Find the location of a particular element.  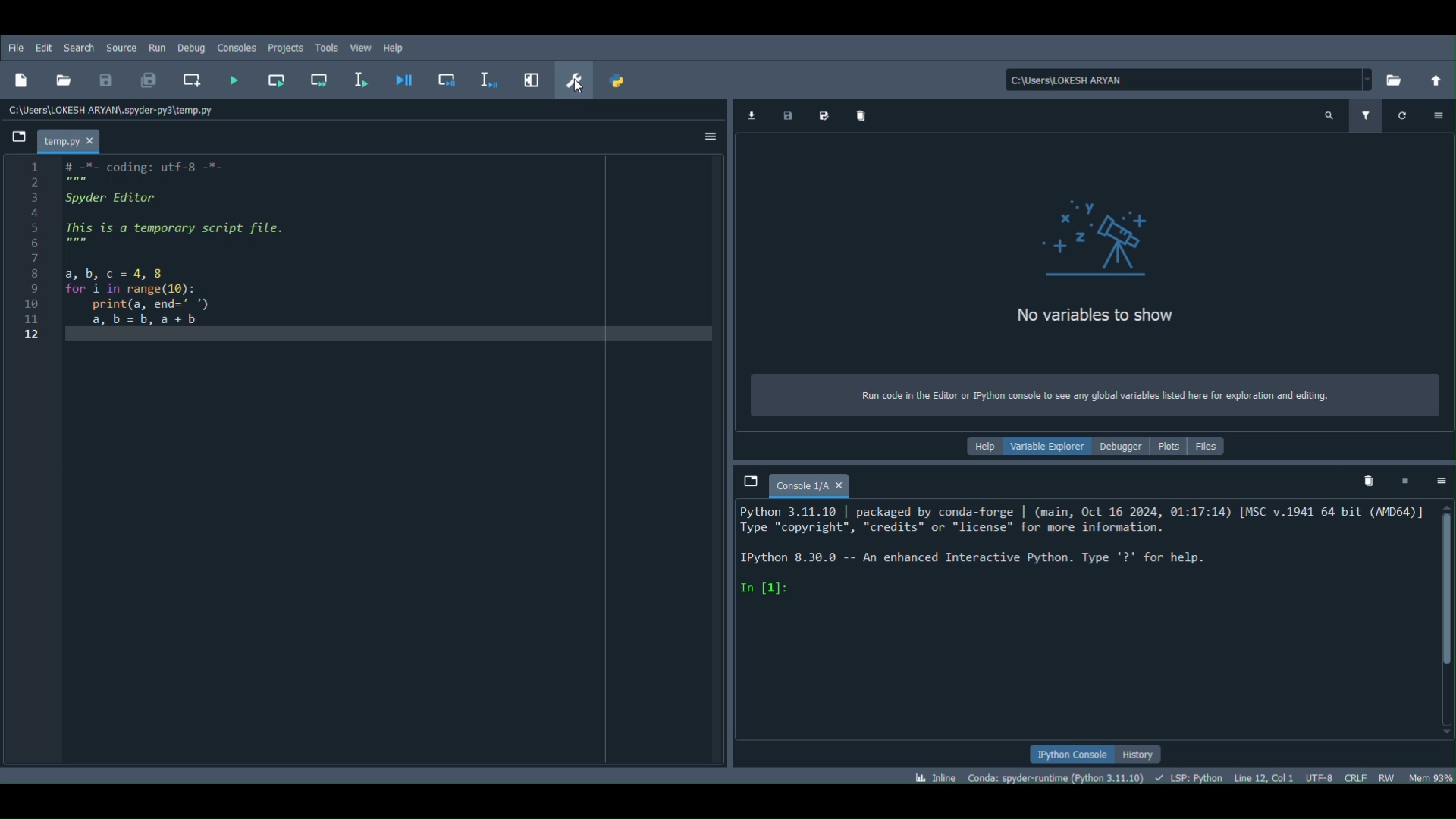

Import data is located at coordinates (750, 113).